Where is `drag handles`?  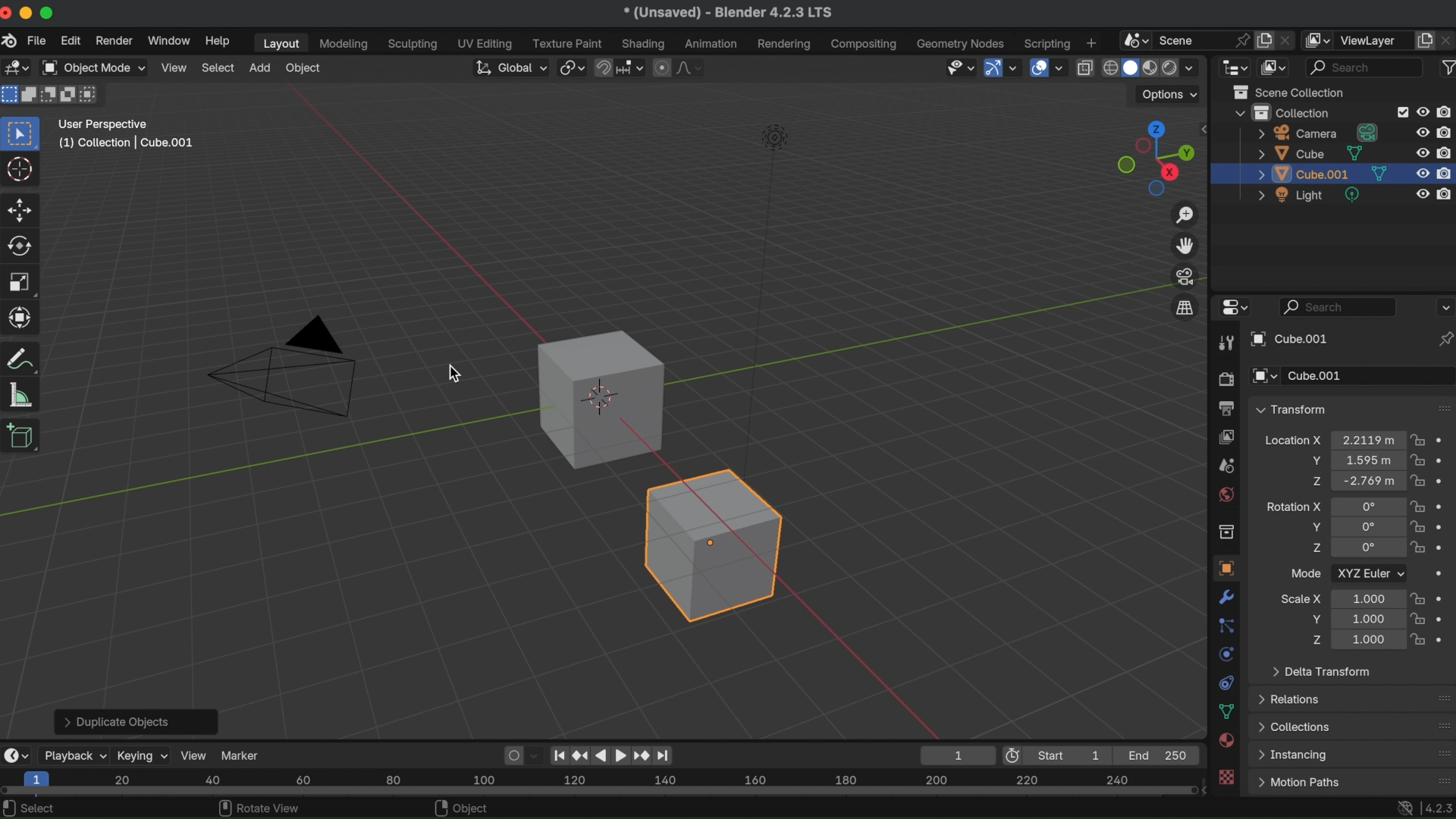
drag handles is located at coordinates (1438, 698).